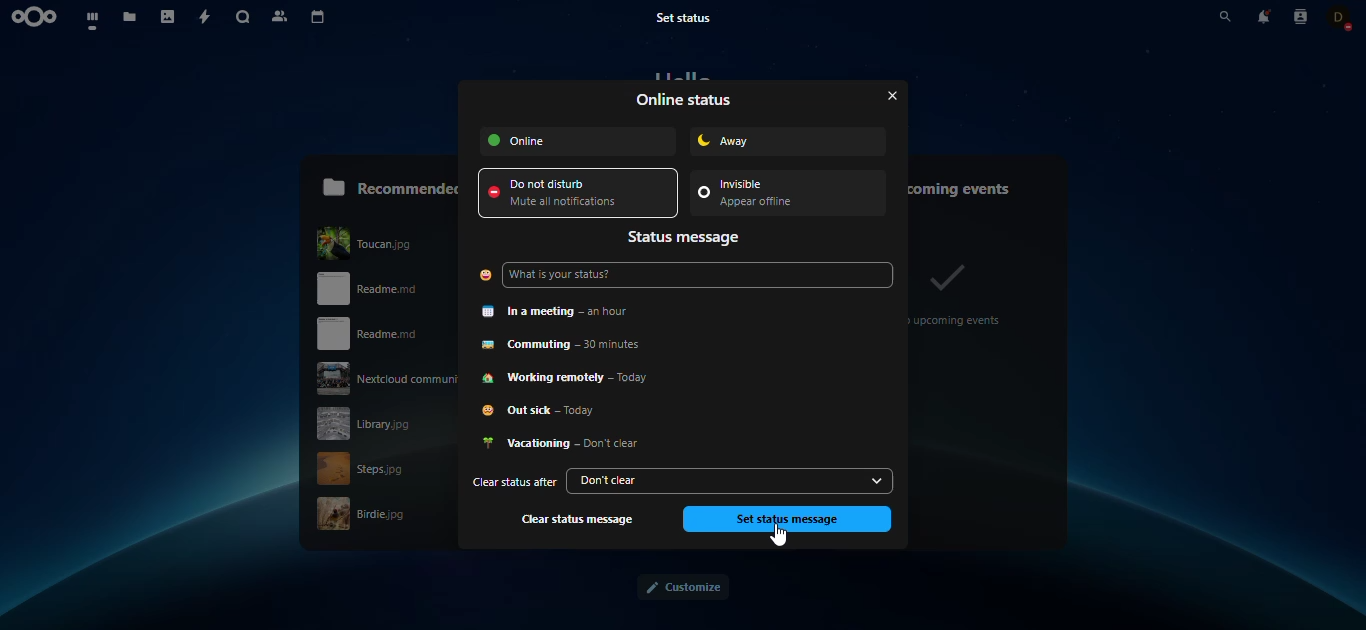 The width and height of the screenshot is (1366, 630). What do you see at coordinates (786, 518) in the screenshot?
I see `set status message` at bounding box center [786, 518].